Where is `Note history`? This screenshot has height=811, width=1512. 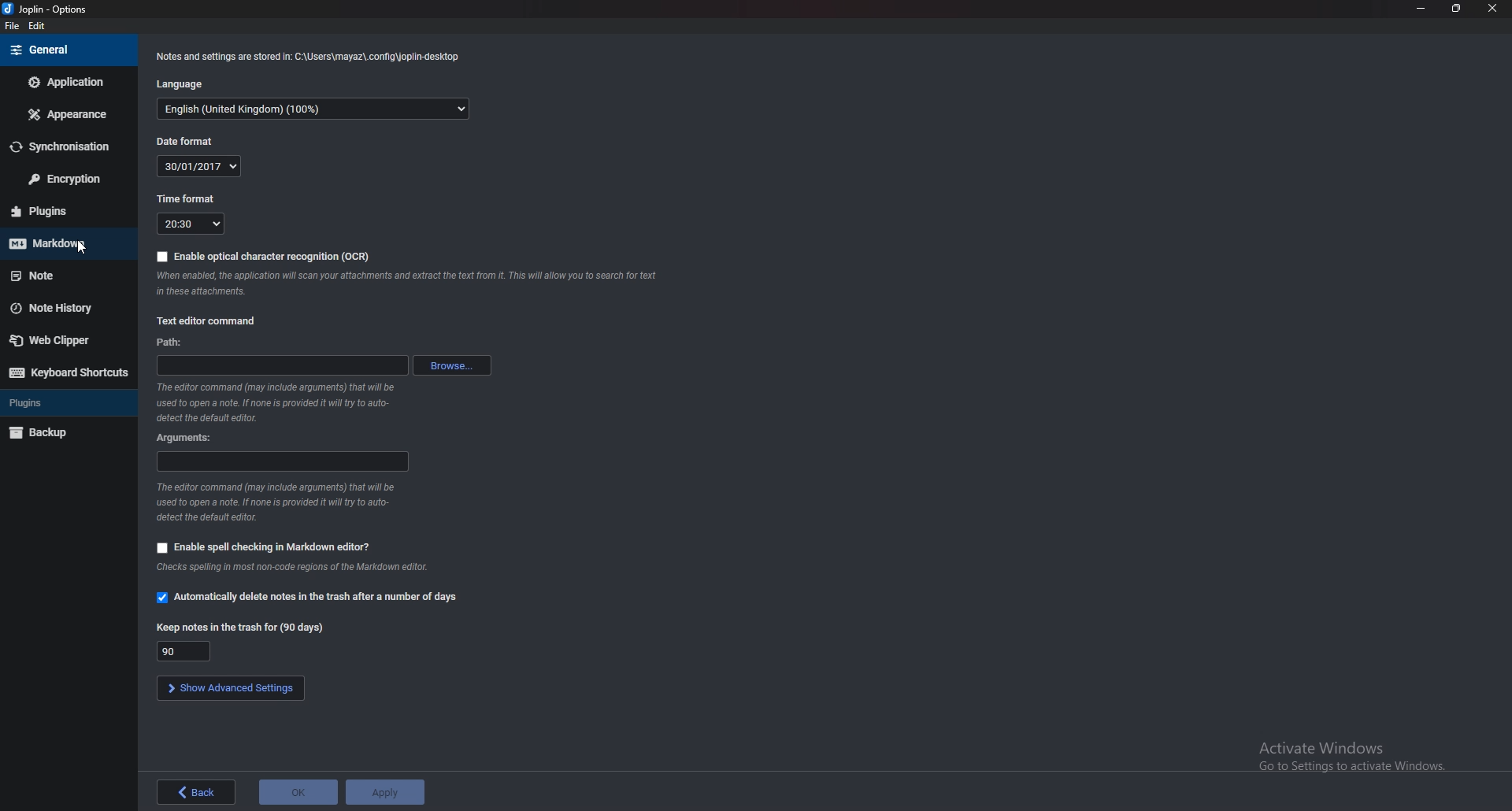
Note history is located at coordinates (62, 306).